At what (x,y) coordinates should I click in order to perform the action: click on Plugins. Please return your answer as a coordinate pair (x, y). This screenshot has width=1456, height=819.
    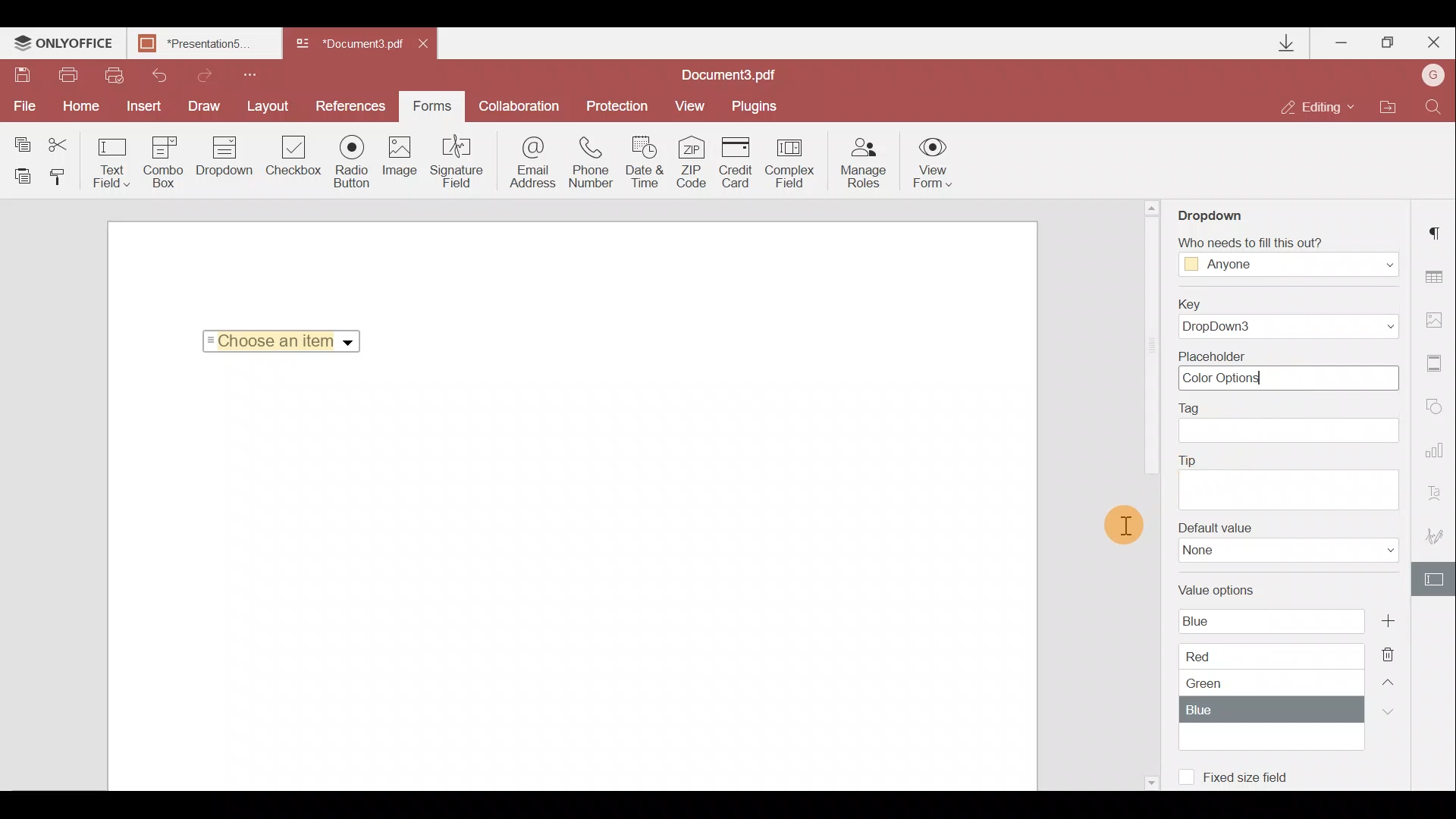
    Looking at the image, I should click on (756, 107).